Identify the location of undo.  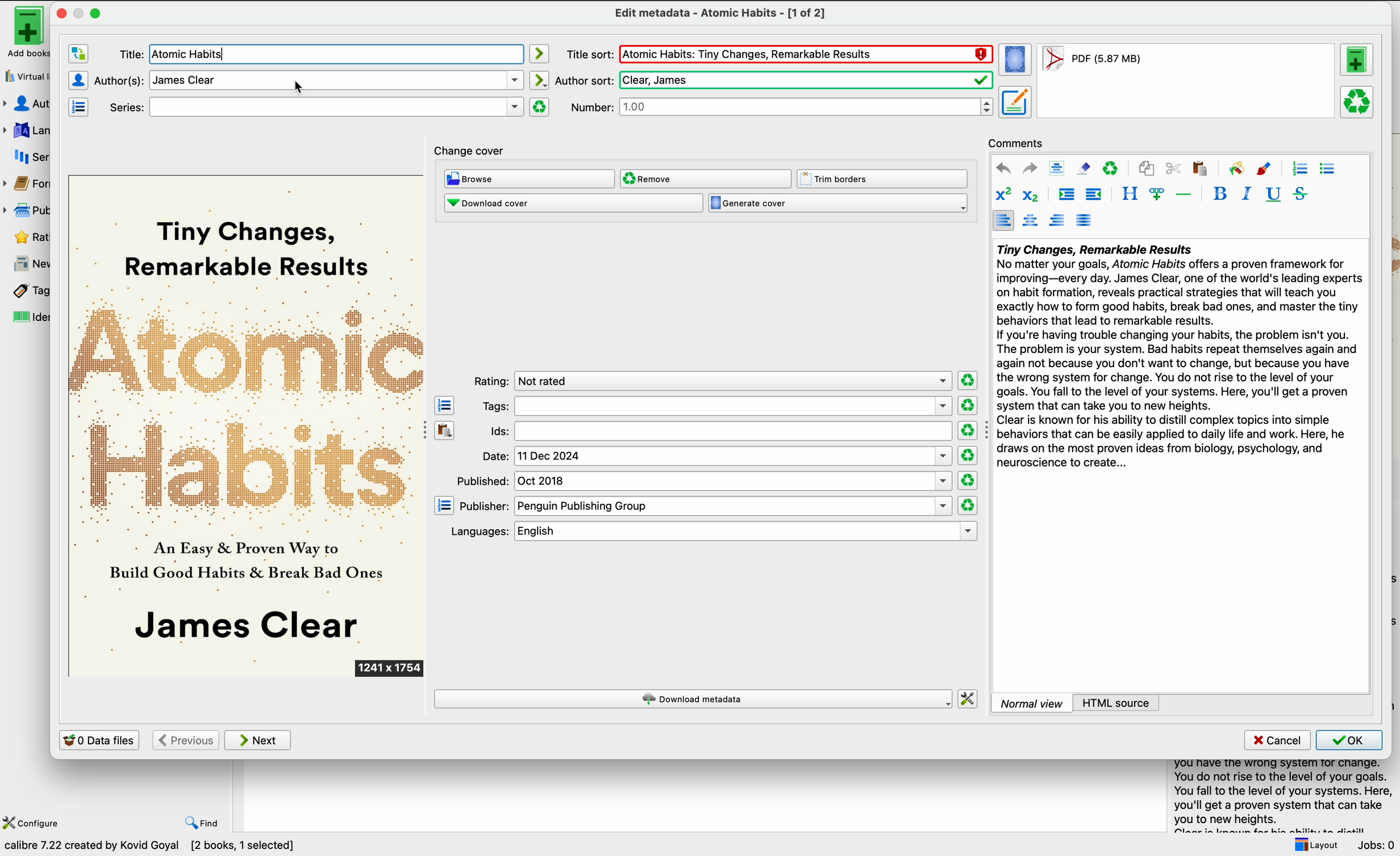
(1003, 168).